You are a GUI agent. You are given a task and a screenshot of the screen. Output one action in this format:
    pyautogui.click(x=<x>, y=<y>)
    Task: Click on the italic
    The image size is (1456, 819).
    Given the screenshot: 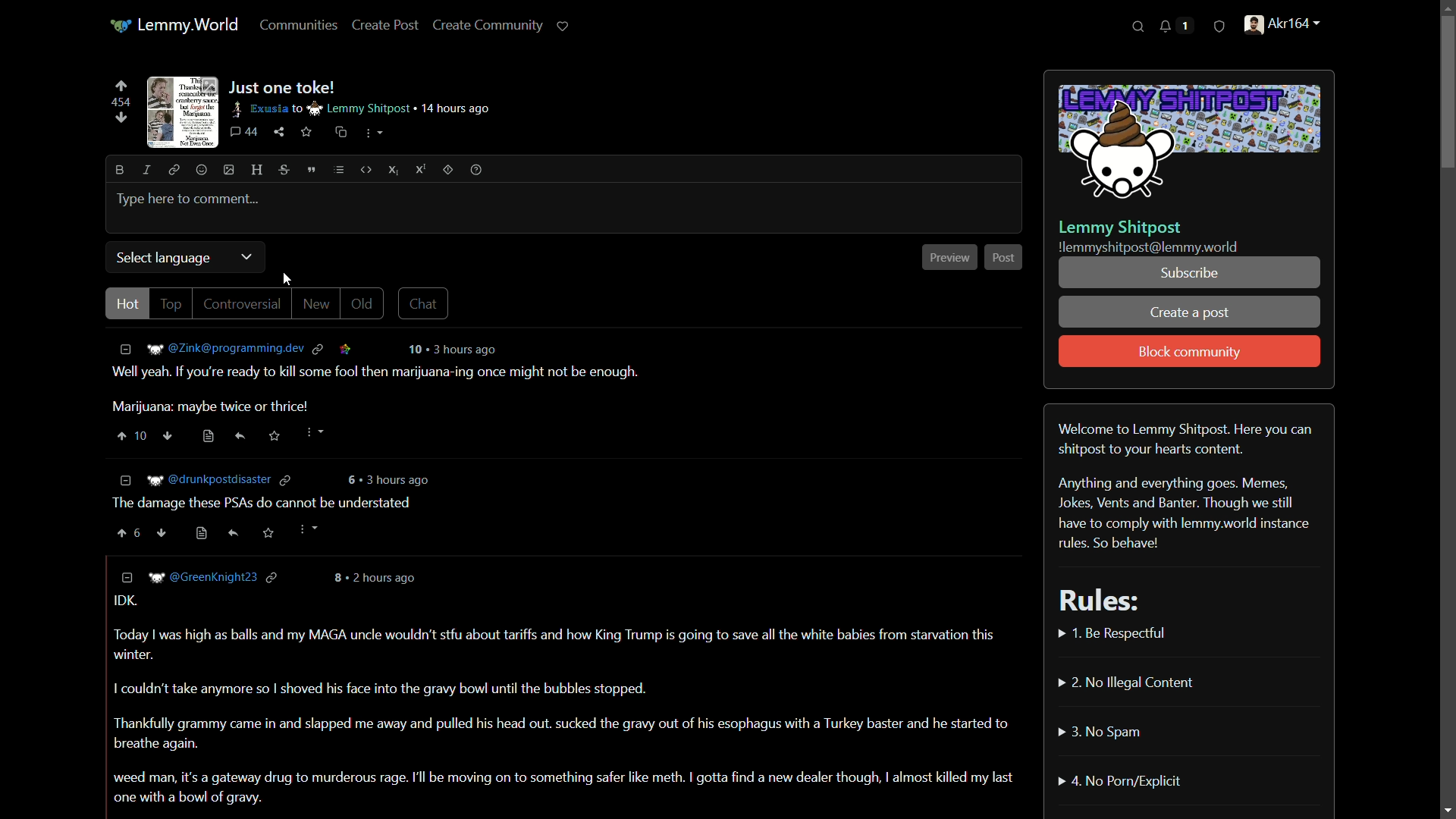 What is the action you would take?
    pyautogui.click(x=146, y=170)
    